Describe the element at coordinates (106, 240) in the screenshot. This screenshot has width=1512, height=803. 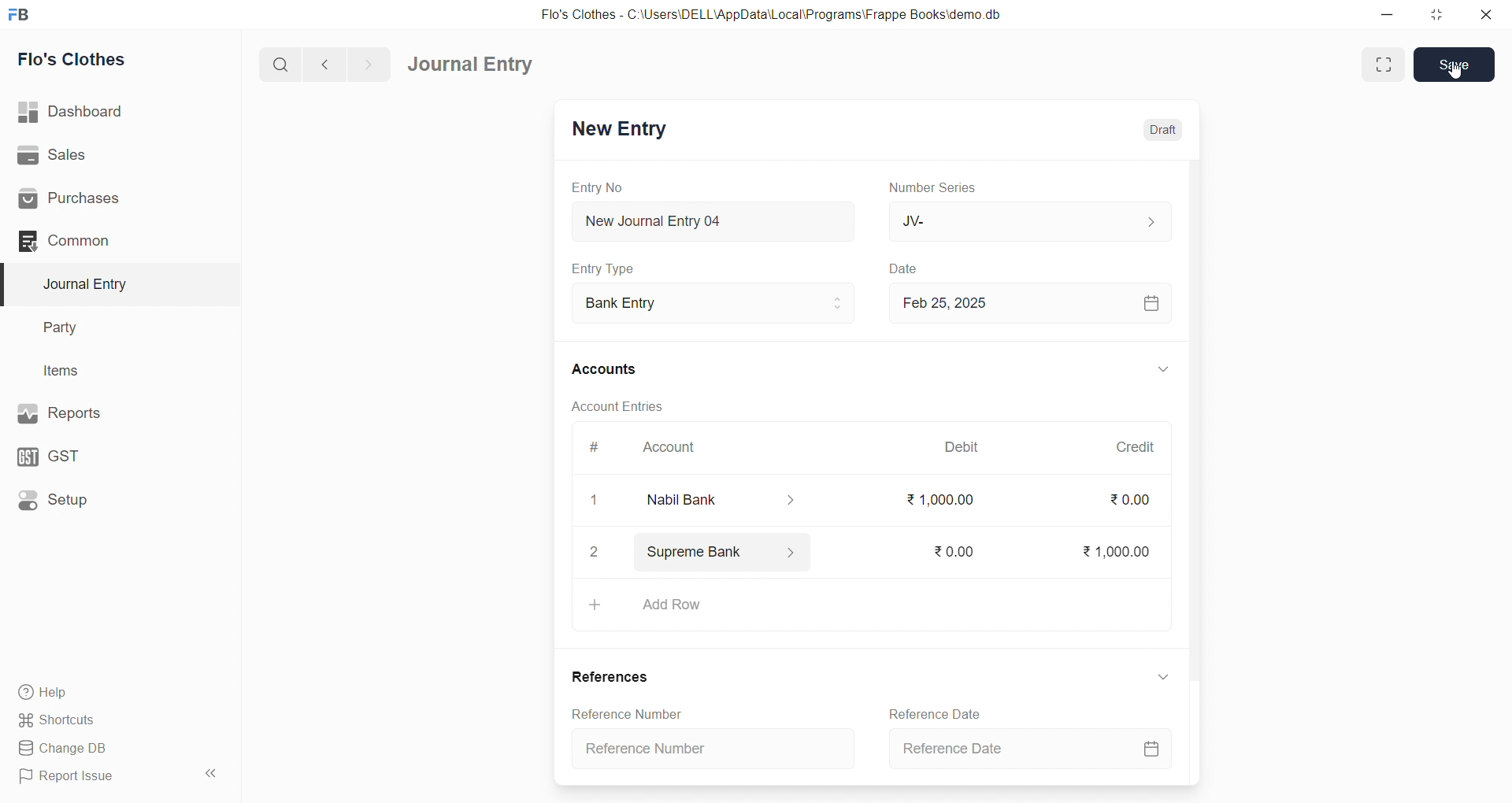
I see `Common` at that location.